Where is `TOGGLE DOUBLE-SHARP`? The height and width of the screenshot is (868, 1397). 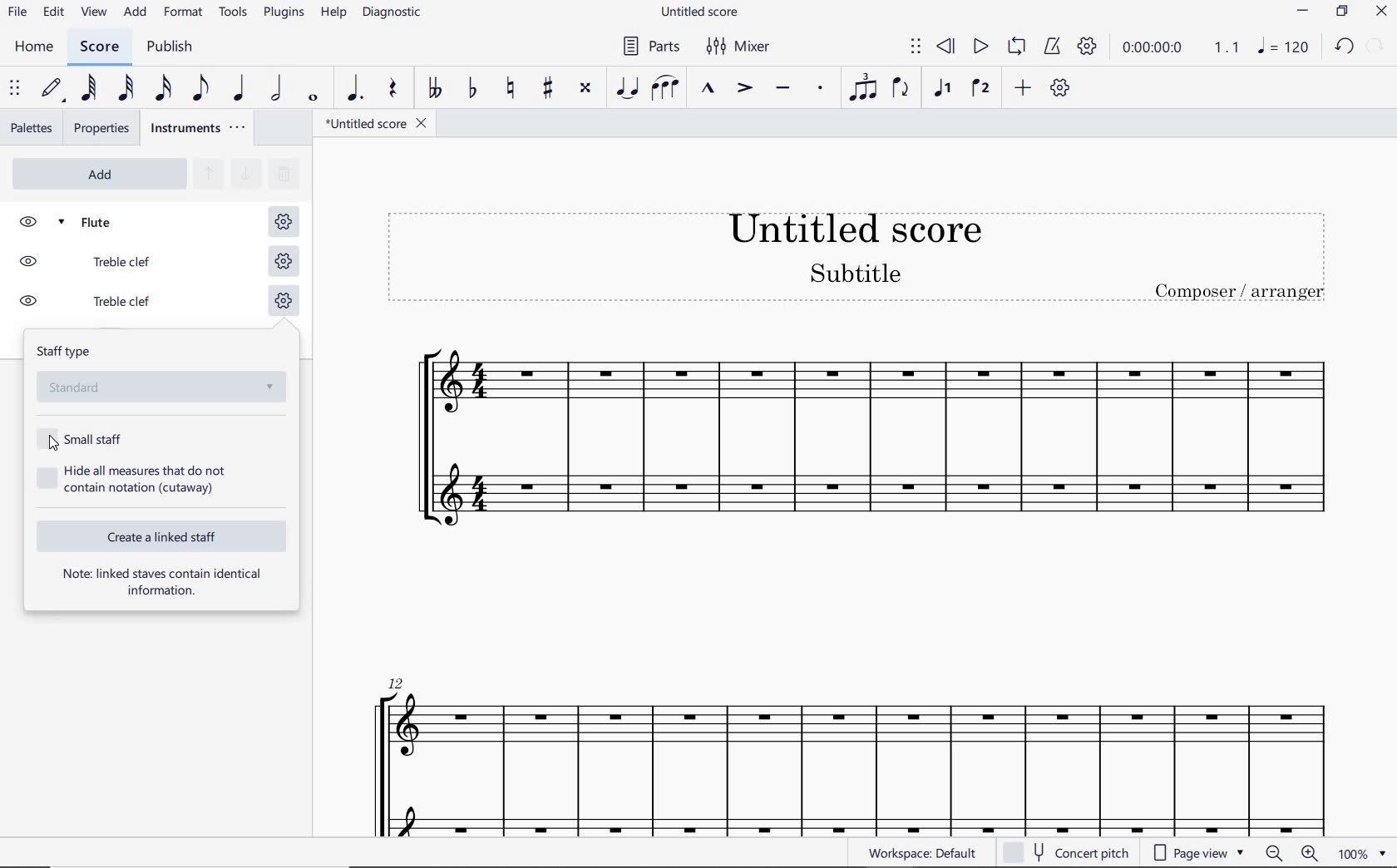
TOGGLE DOUBLE-SHARP is located at coordinates (587, 89).